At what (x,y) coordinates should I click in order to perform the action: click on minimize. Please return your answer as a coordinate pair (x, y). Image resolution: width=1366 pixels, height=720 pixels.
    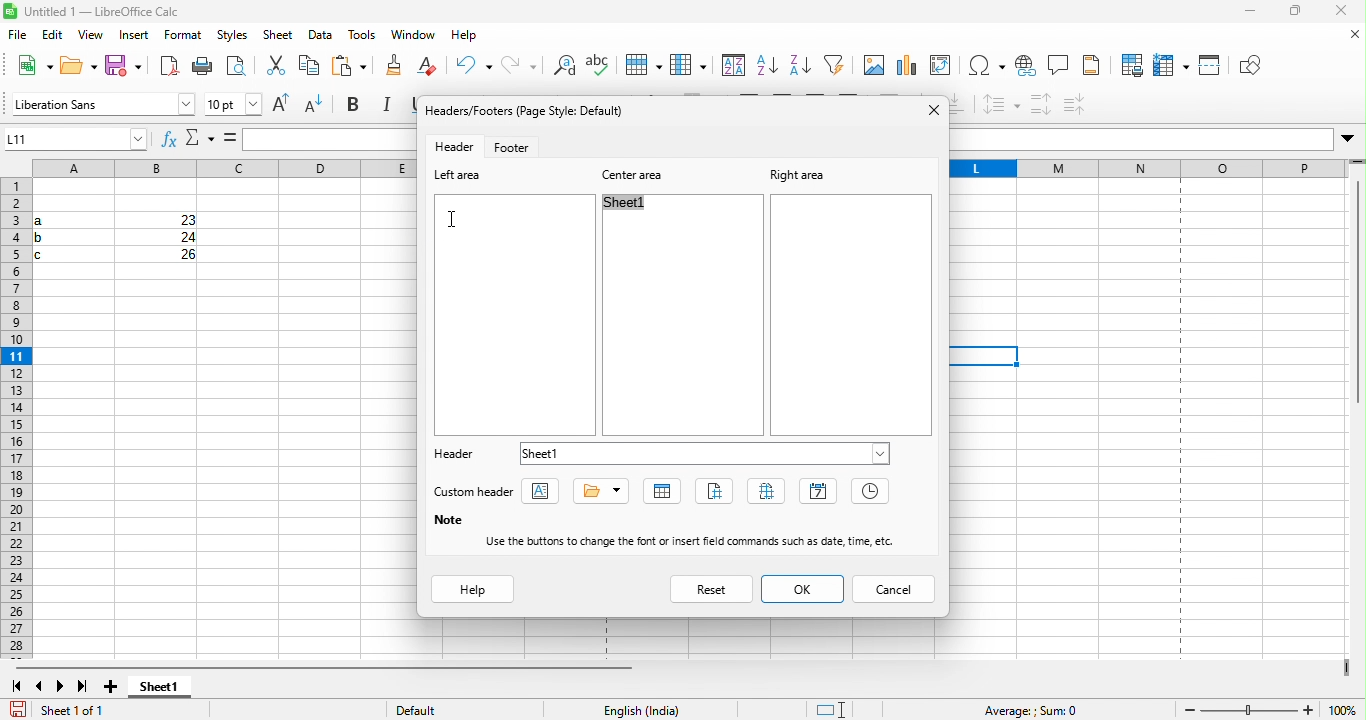
    Looking at the image, I should click on (1252, 13).